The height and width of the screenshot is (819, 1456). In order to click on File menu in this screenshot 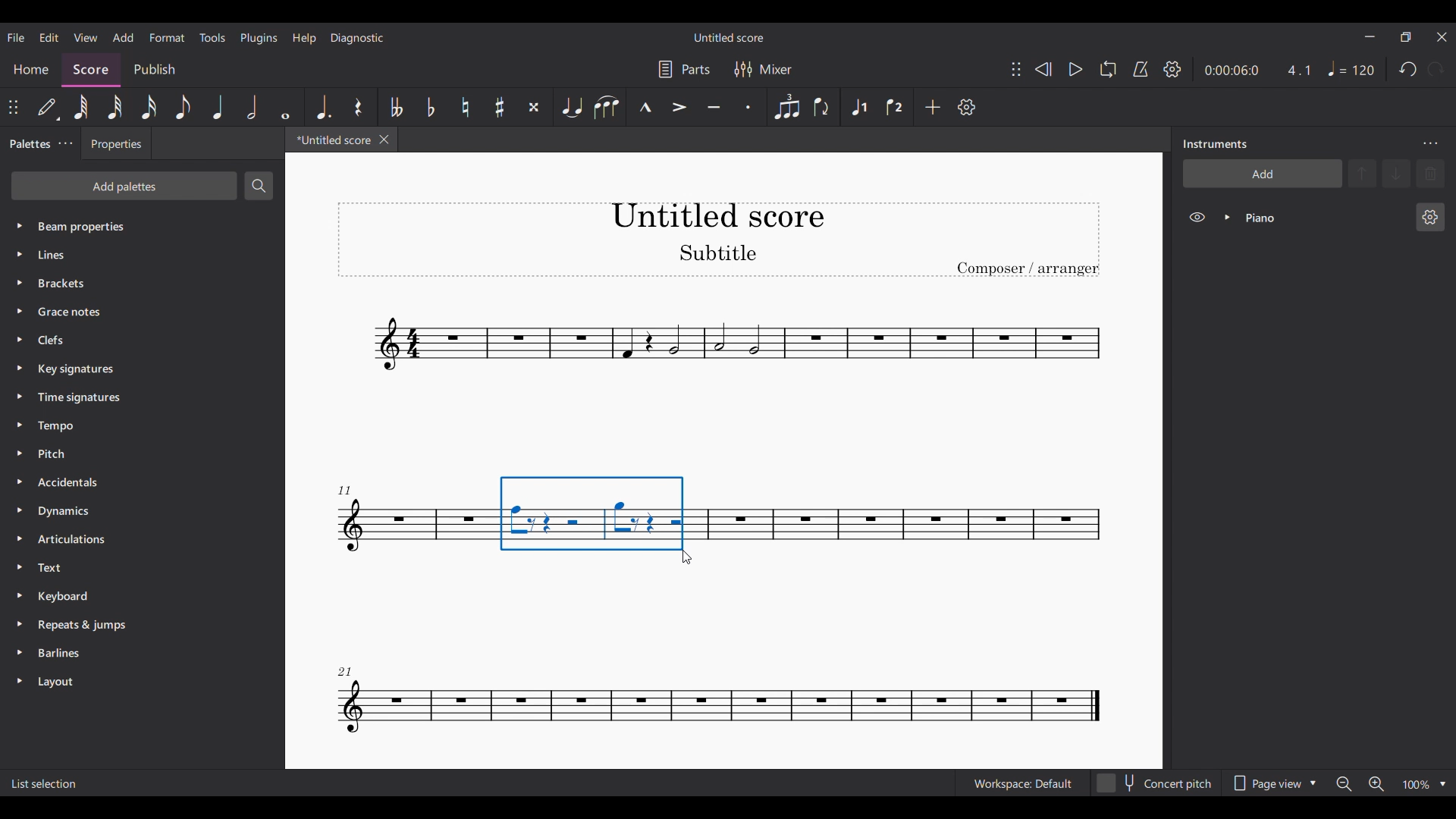, I will do `click(15, 37)`.